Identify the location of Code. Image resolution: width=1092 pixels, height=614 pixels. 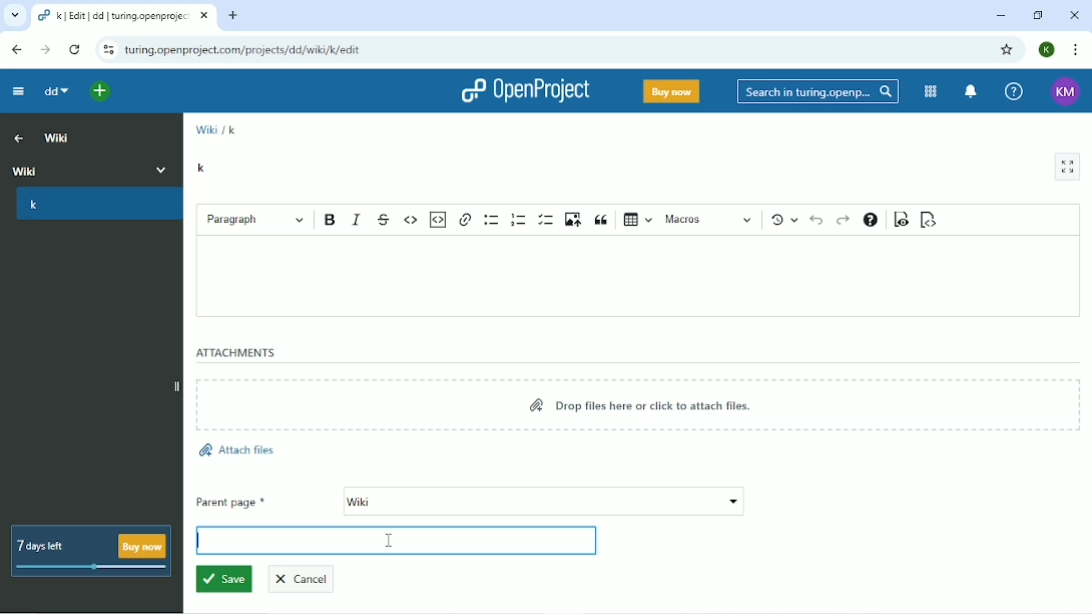
(411, 218).